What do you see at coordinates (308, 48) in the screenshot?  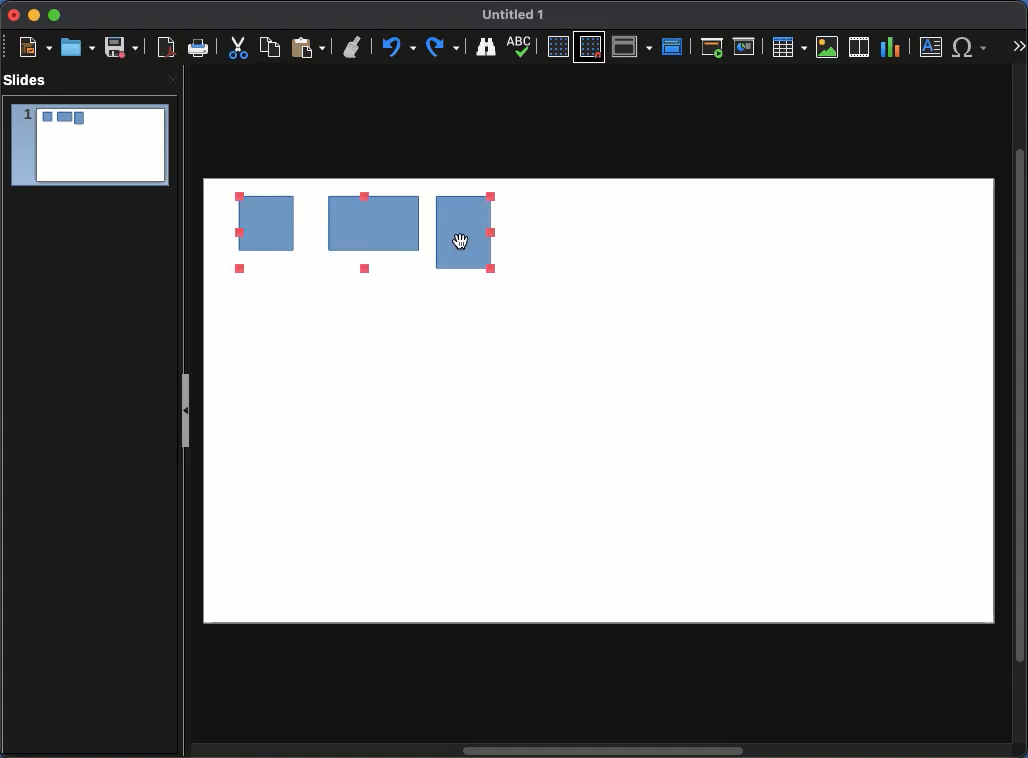 I see `Paste` at bounding box center [308, 48].